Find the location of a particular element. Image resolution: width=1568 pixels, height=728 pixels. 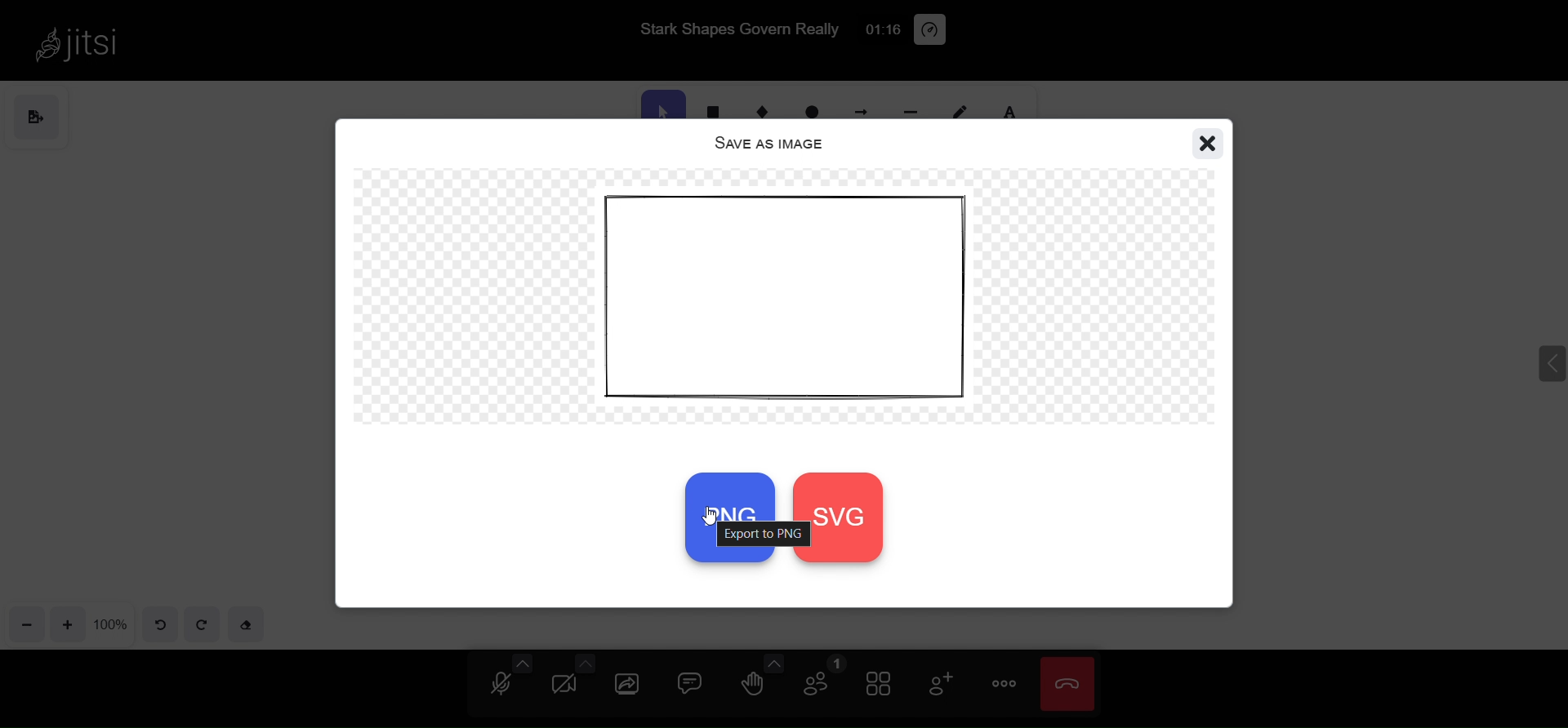

cursor is located at coordinates (718, 525).